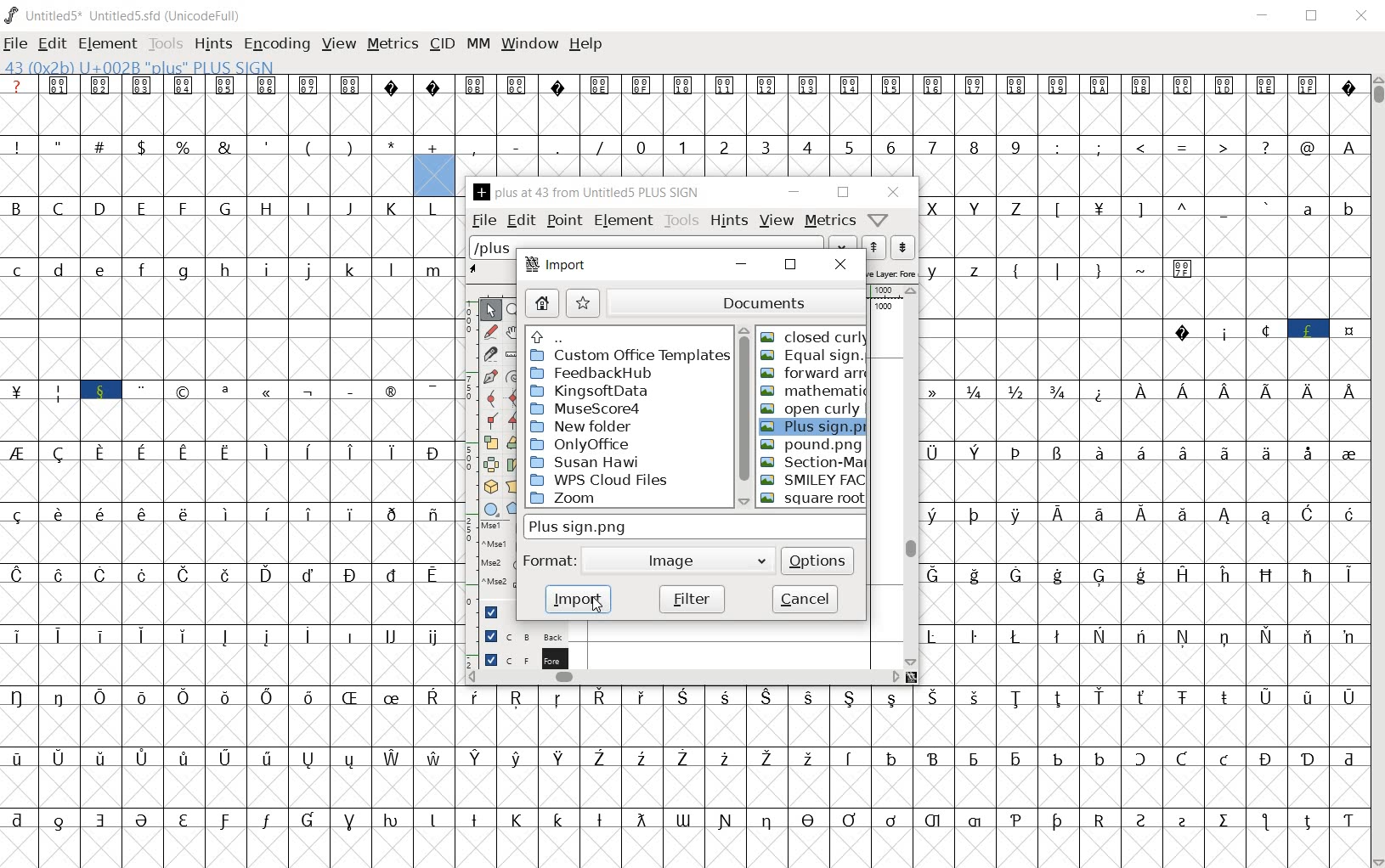  What do you see at coordinates (692, 839) in the screenshot?
I see `special characters` at bounding box center [692, 839].